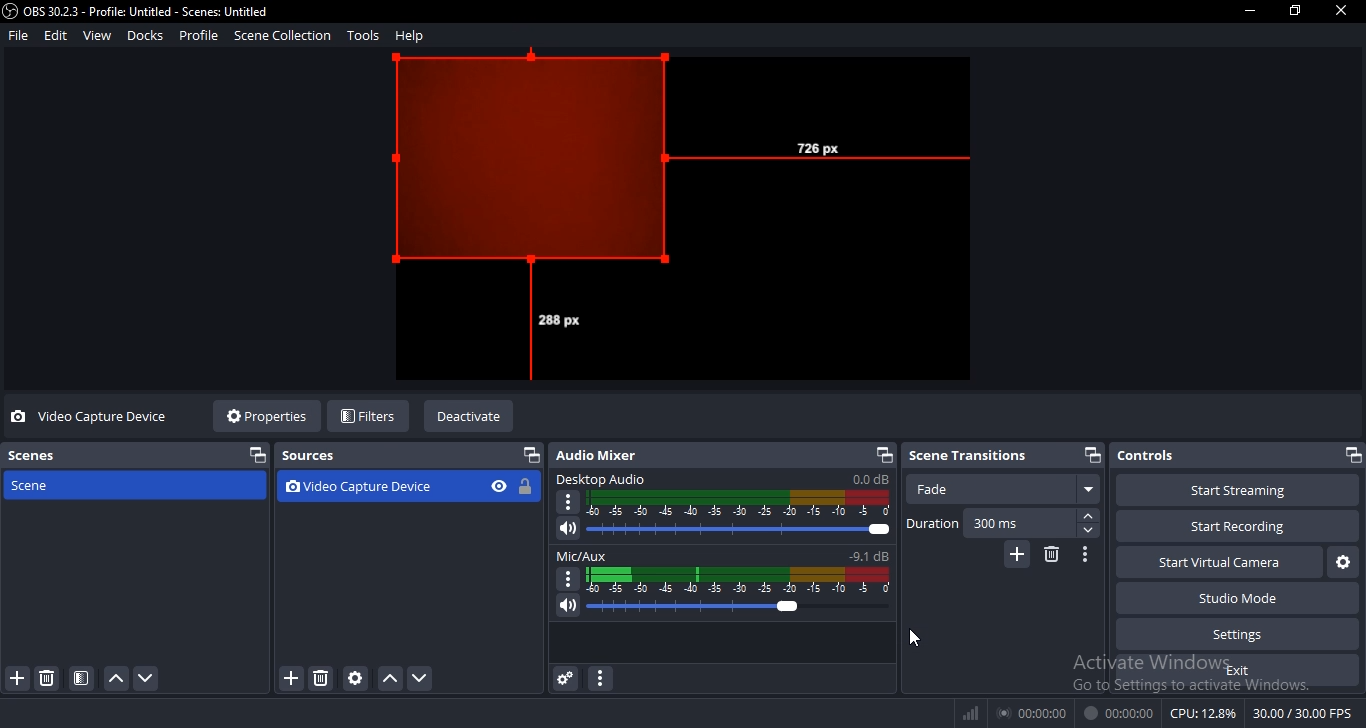 This screenshot has height=728, width=1366. I want to click on image, so click(681, 220).